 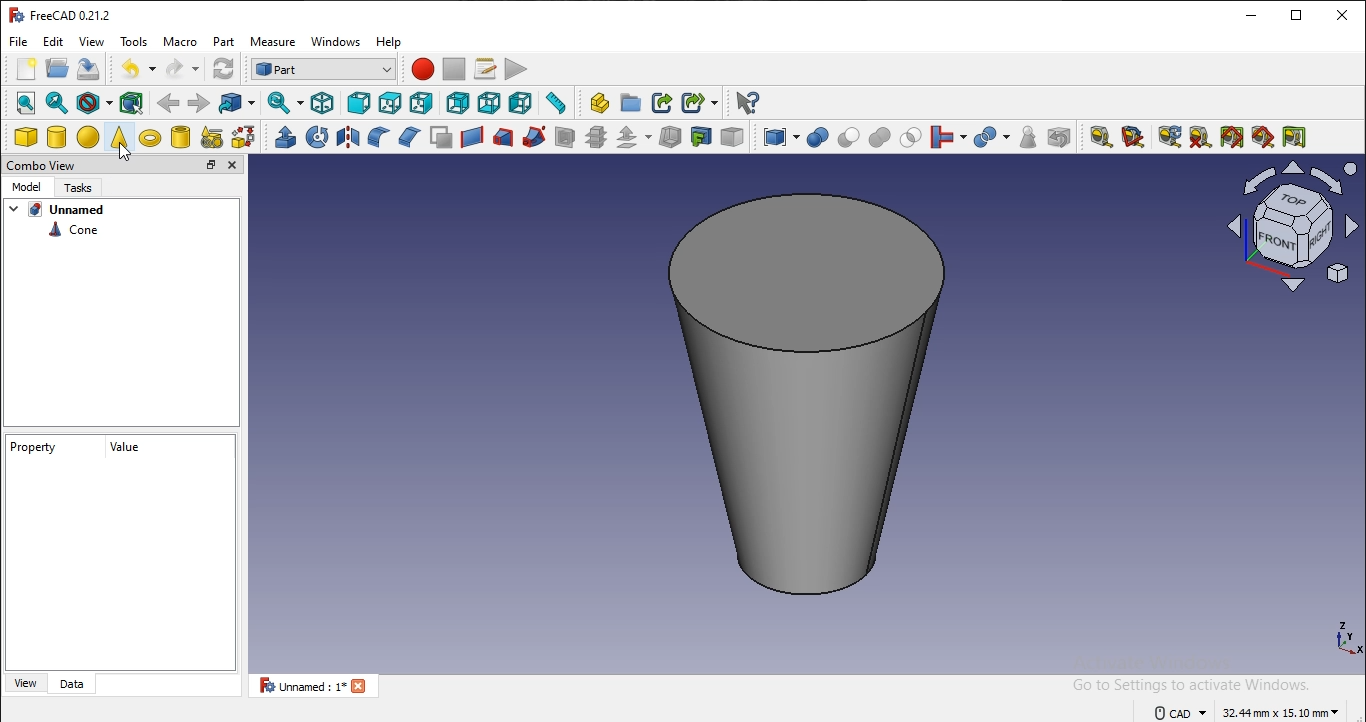 I want to click on stop macro recording, so click(x=454, y=67).